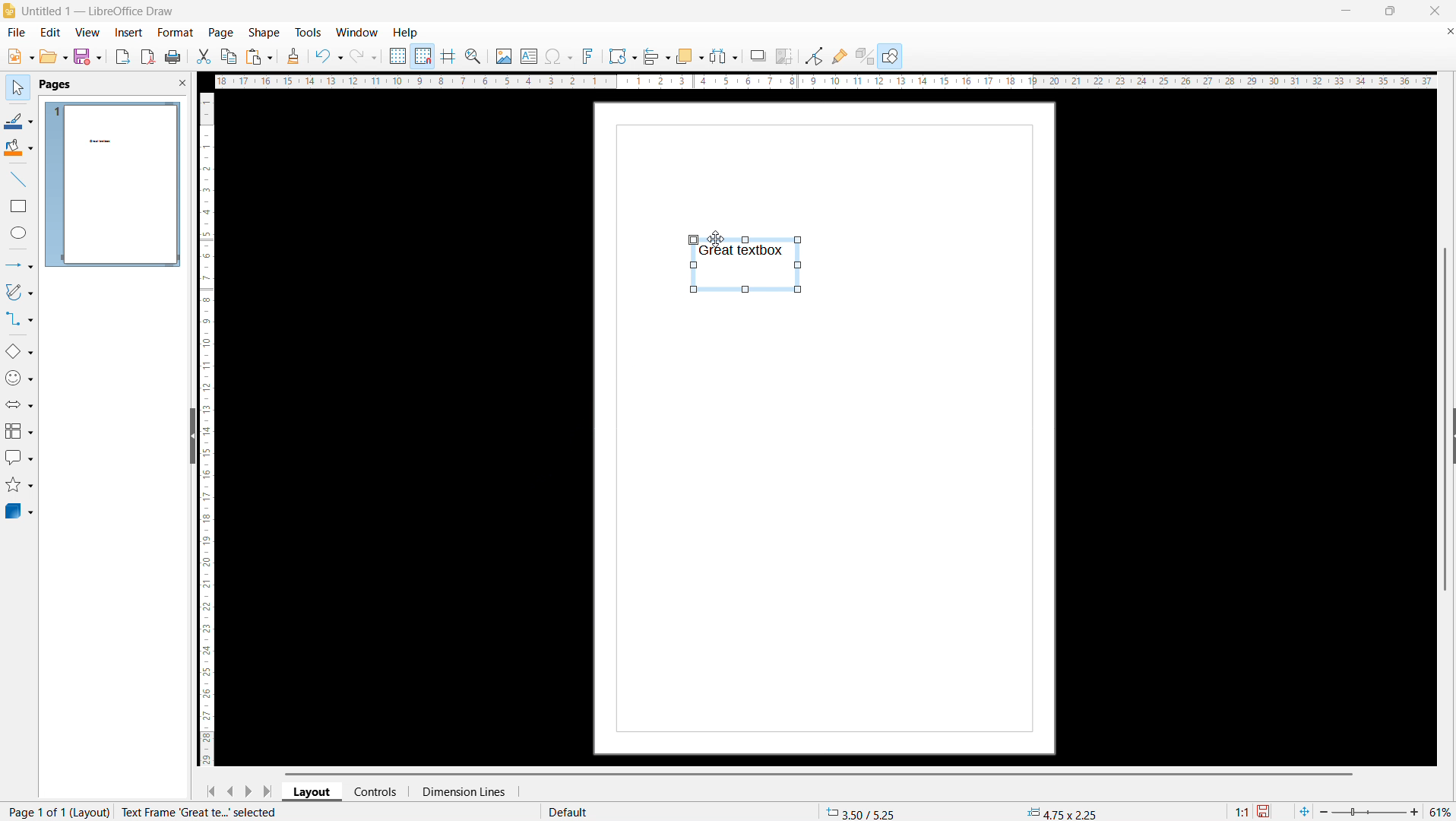 This screenshot has height=821, width=1456. What do you see at coordinates (49, 32) in the screenshot?
I see `edit` at bounding box center [49, 32].